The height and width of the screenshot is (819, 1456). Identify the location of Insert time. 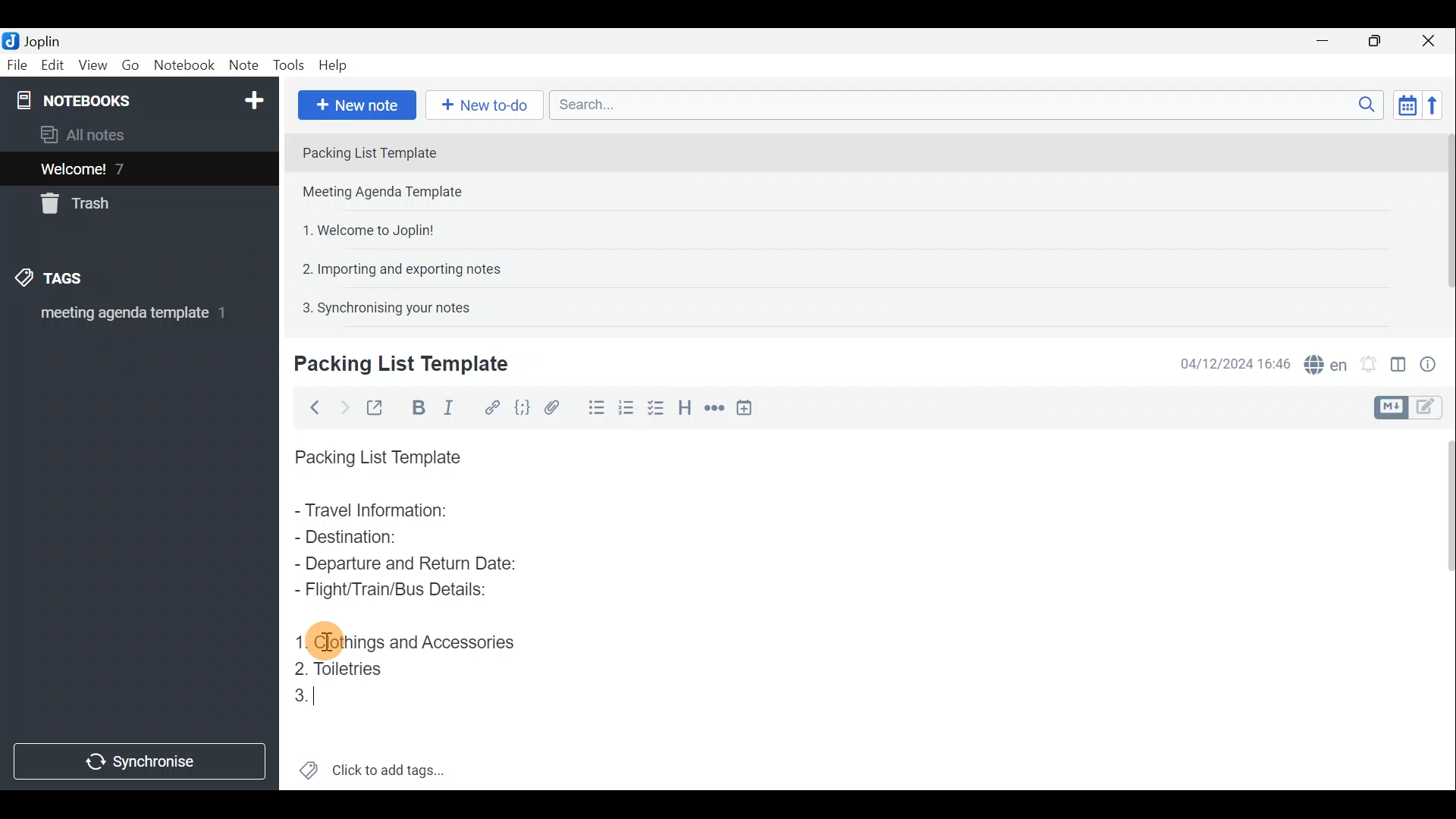
(749, 407).